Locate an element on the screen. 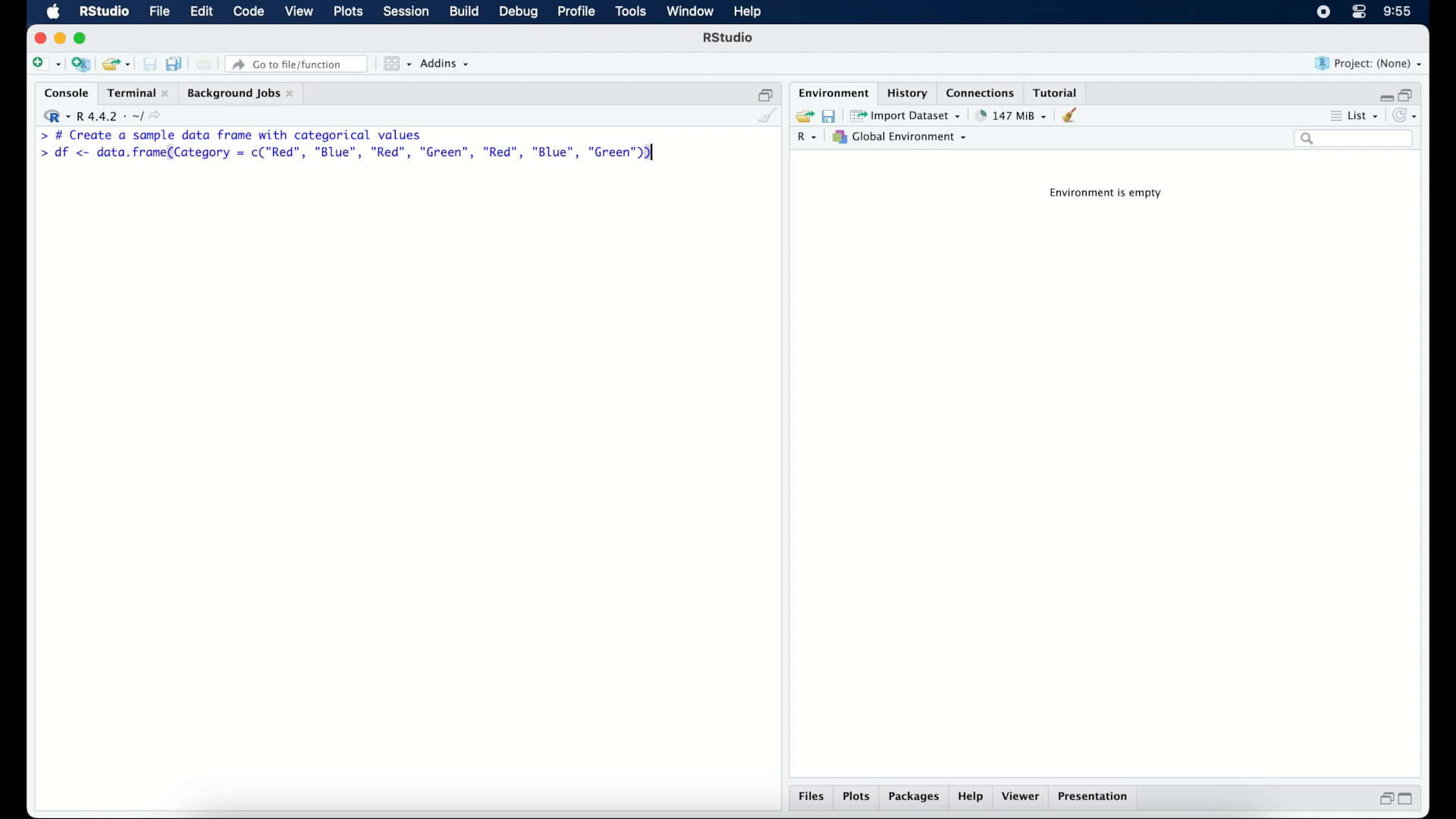 This screenshot has height=819, width=1456. environment is empty is located at coordinates (1109, 195).